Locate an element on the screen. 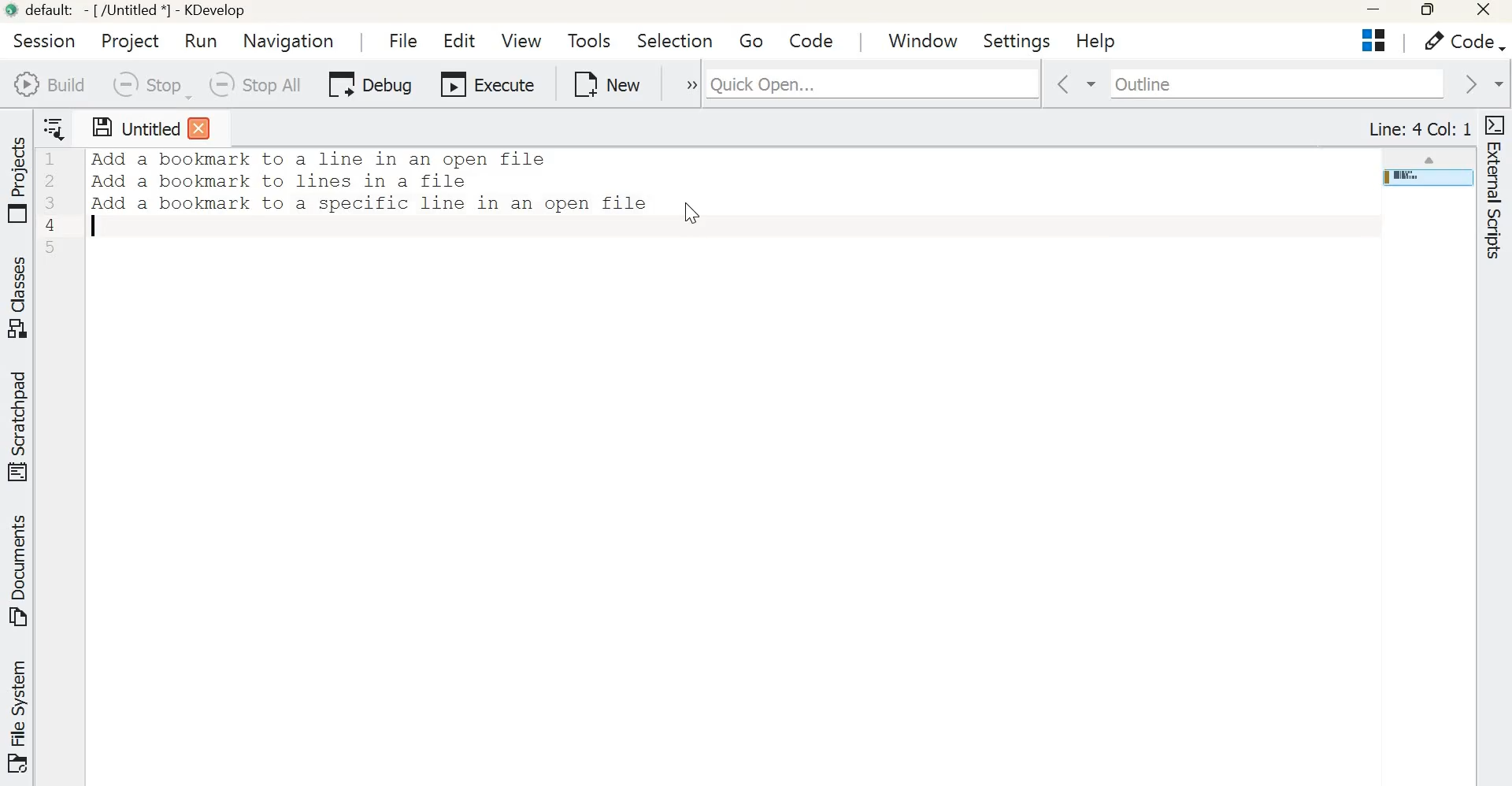 The width and height of the screenshot is (1512, 786). cursor is located at coordinates (695, 209).